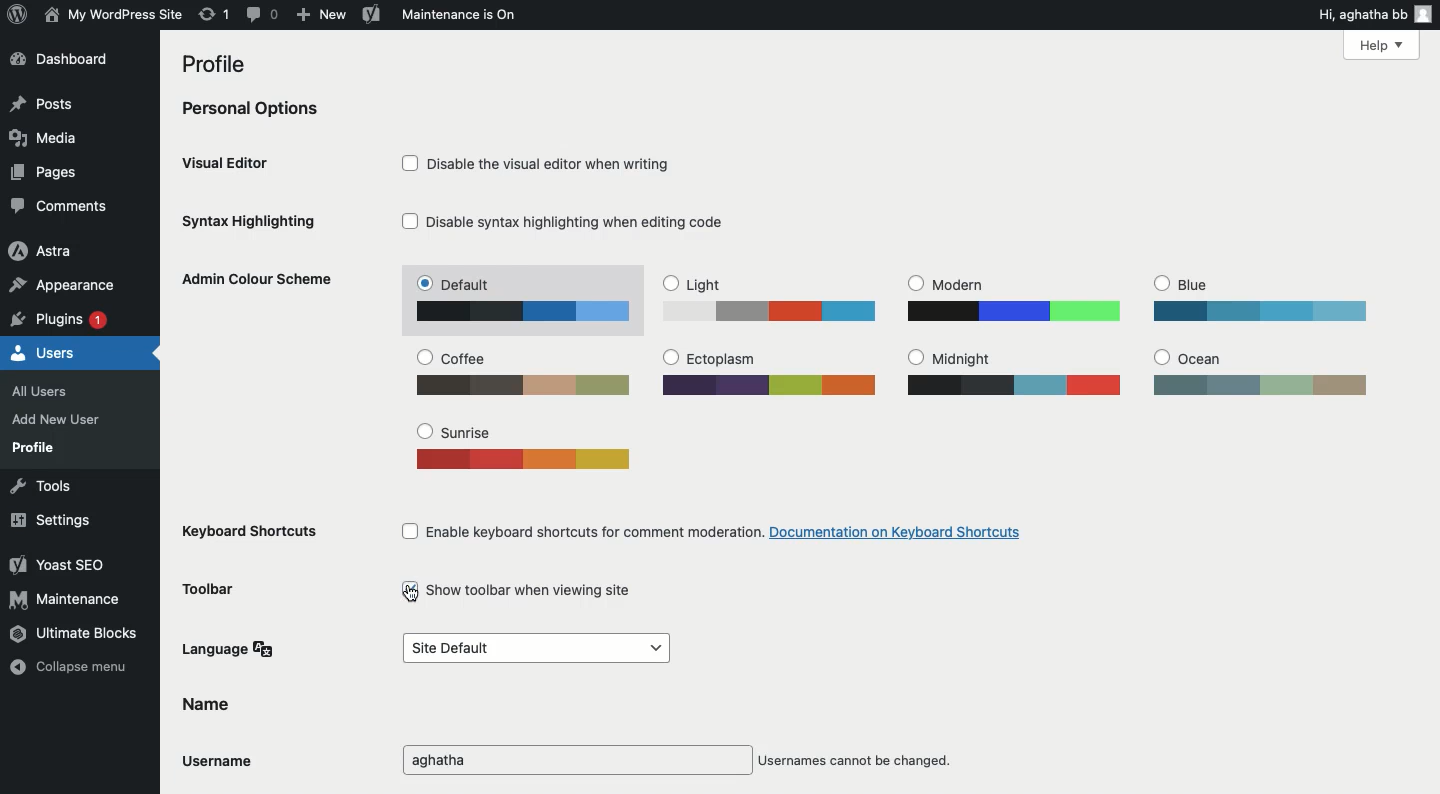 The width and height of the screenshot is (1440, 794). What do you see at coordinates (212, 709) in the screenshot?
I see `Name` at bounding box center [212, 709].